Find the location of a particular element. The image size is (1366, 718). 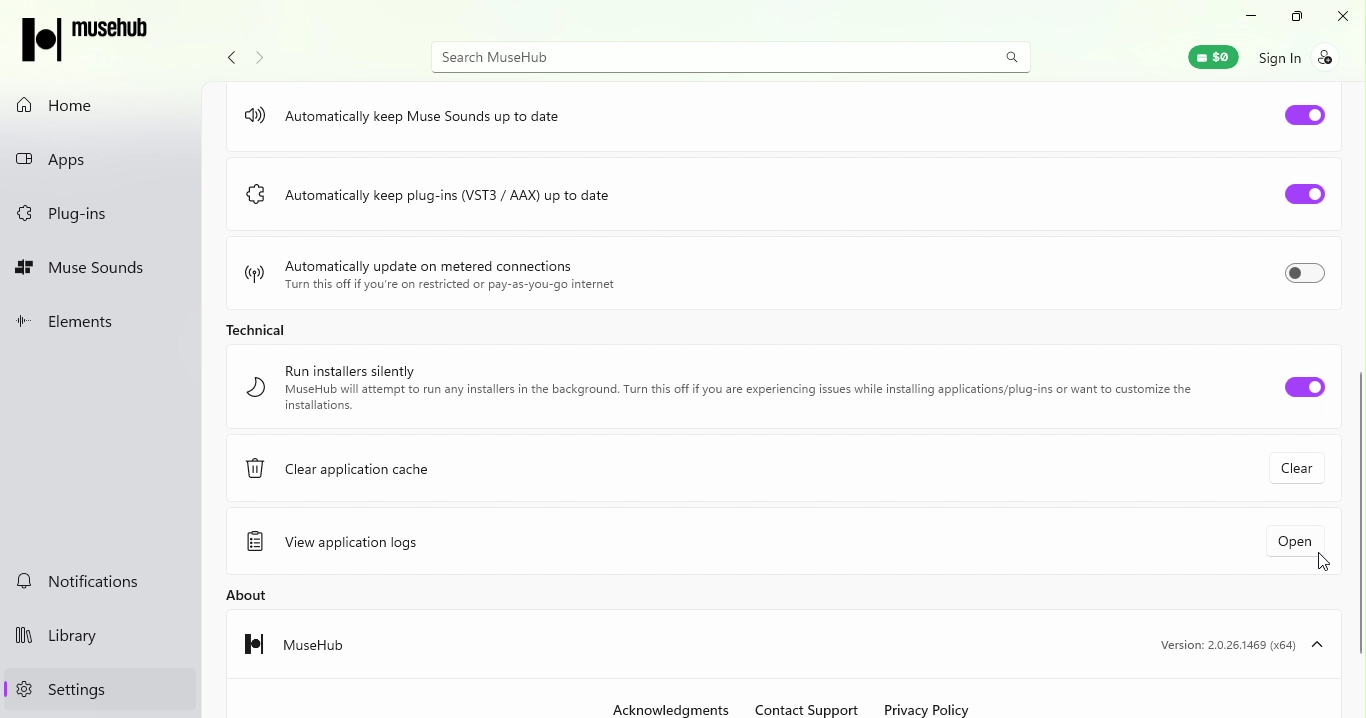

Clear is located at coordinates (1292, 469).